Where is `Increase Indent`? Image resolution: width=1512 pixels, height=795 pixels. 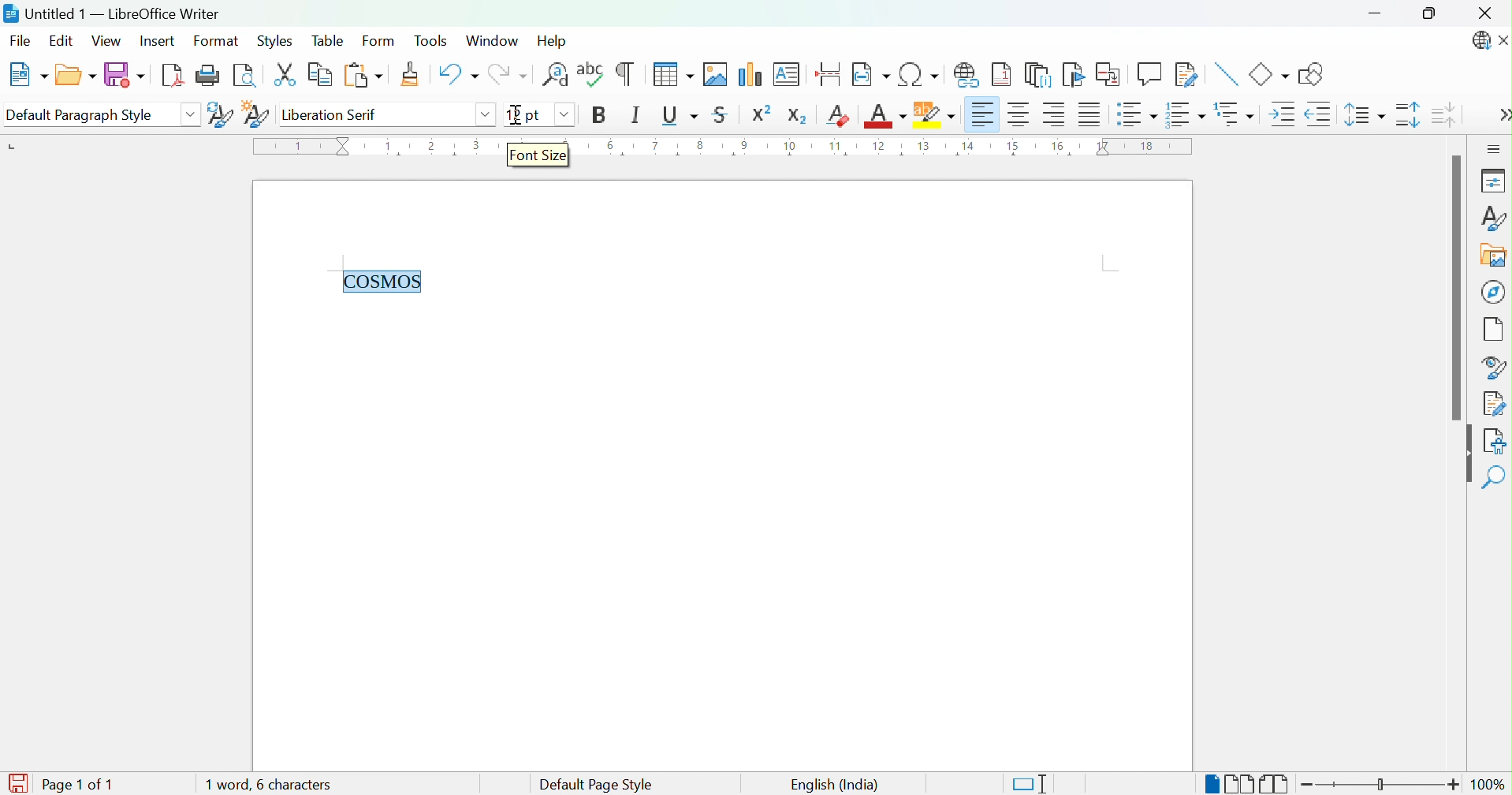
Increase Indent is located at coordinates (1279, 114).